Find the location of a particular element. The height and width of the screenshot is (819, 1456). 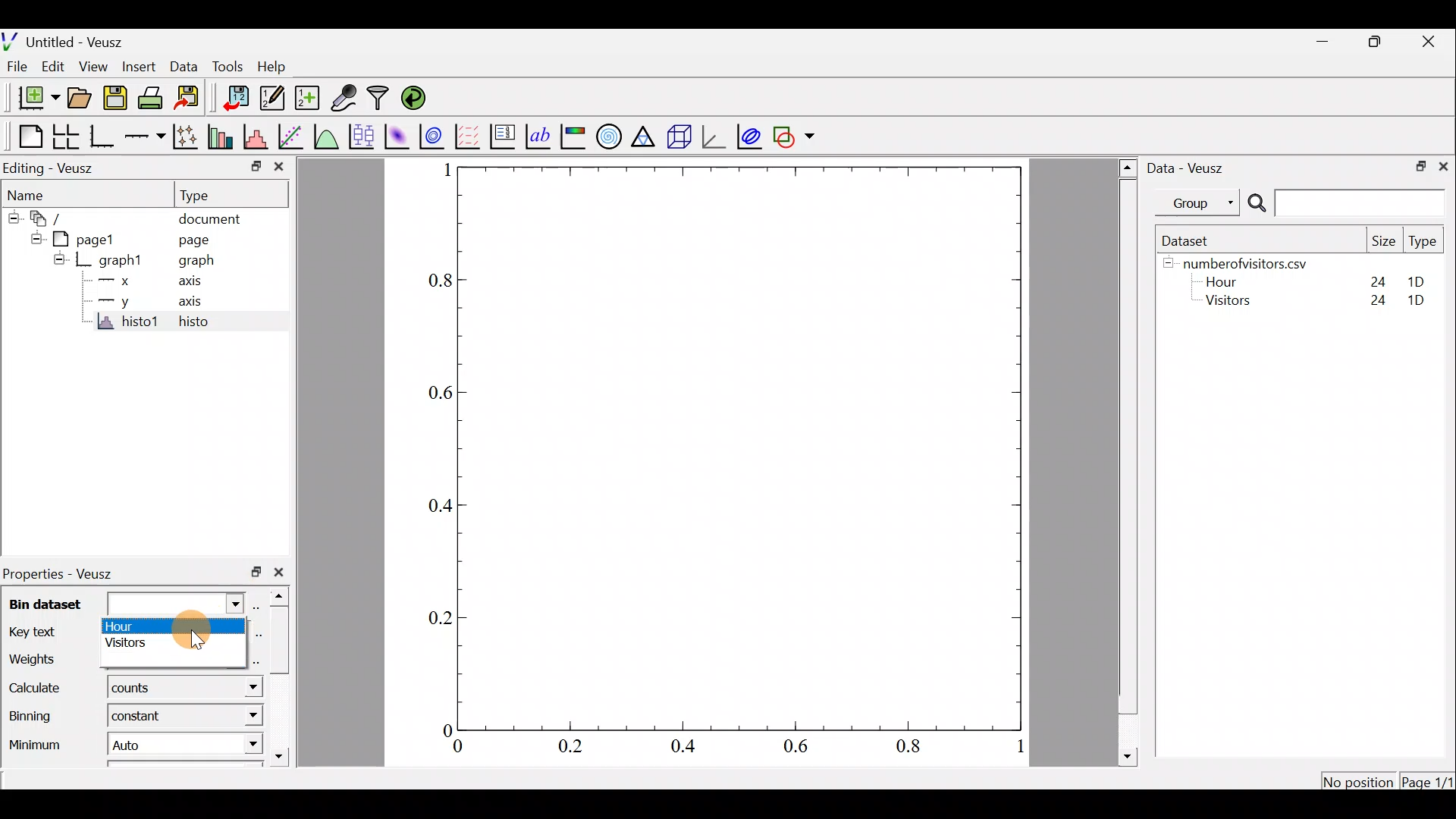

save the document is located at coordinates (115, 99).